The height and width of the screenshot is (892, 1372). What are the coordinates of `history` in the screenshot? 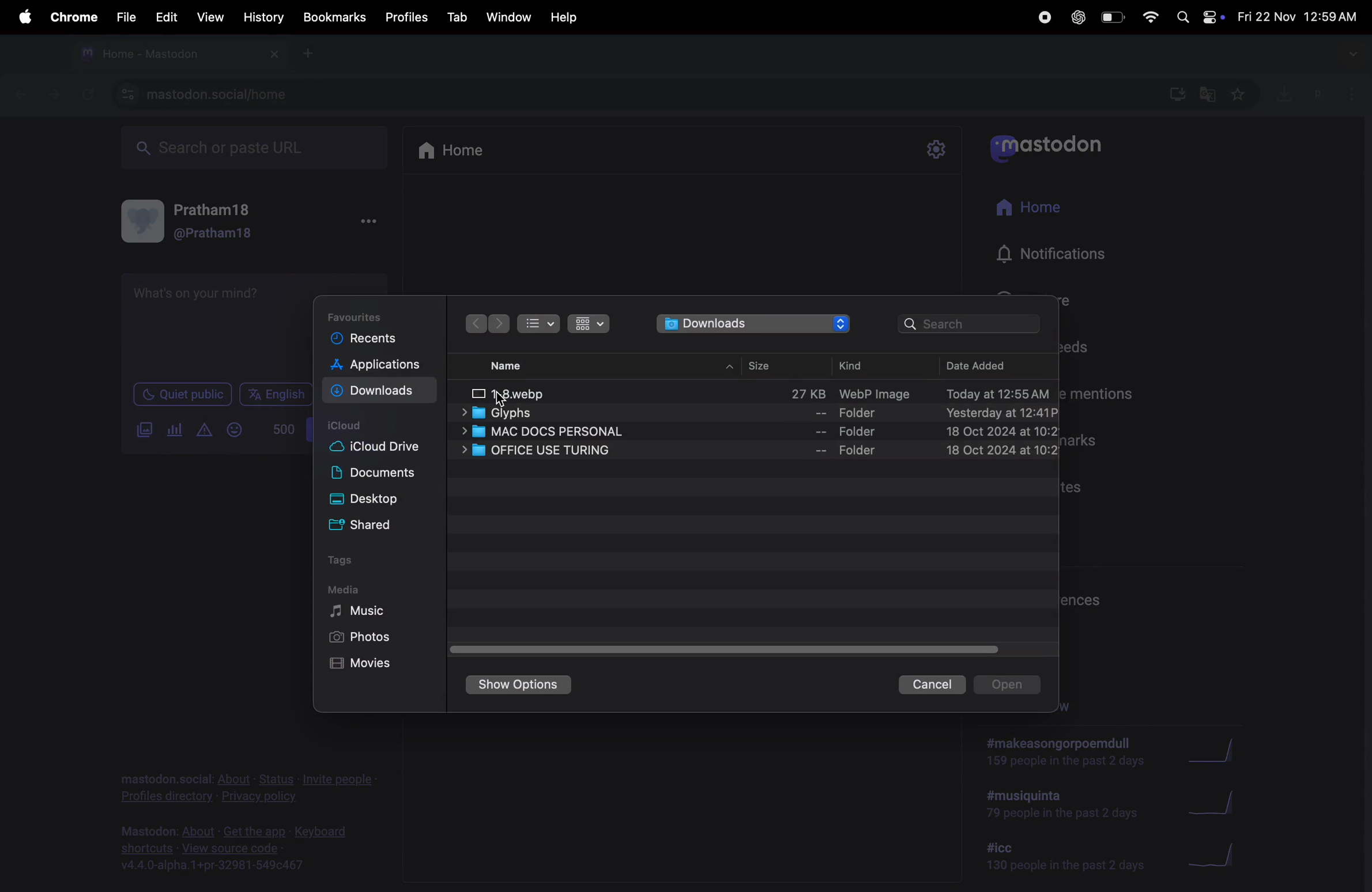 It's located at (263, 18).